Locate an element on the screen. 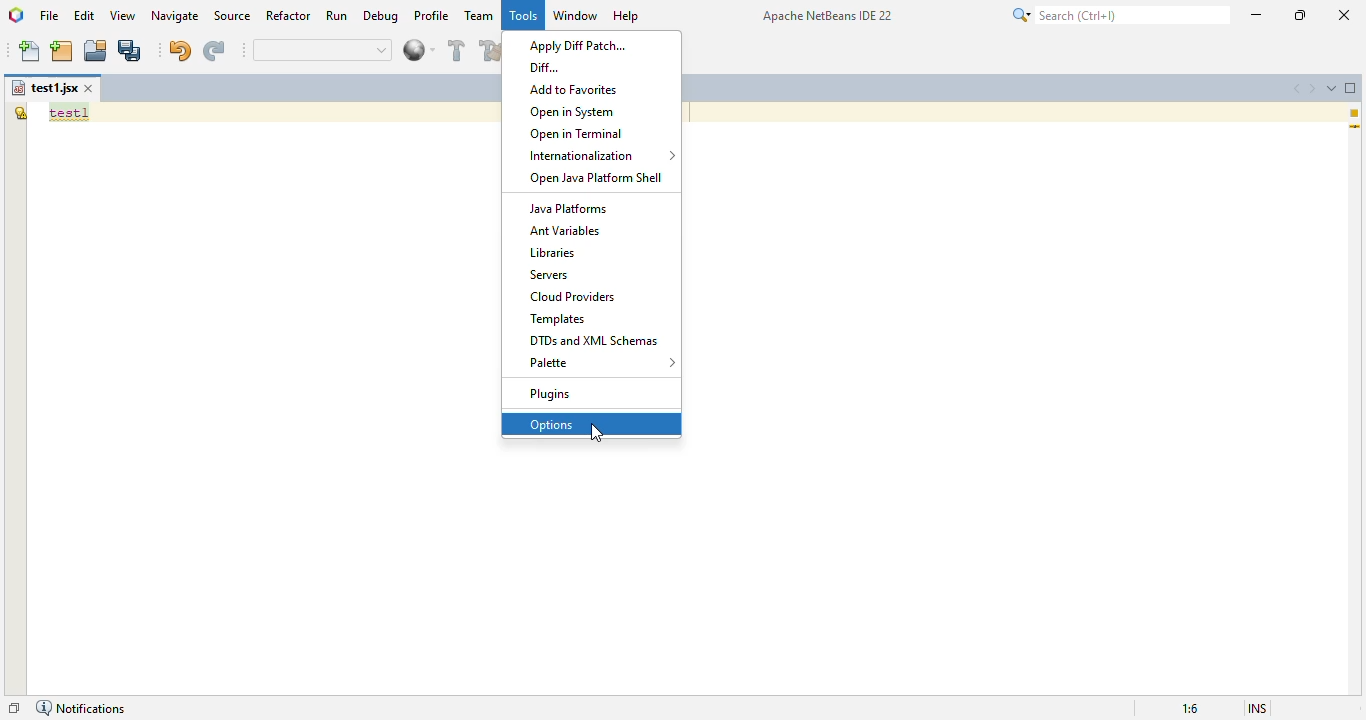  close window is located at coordinates (90, 88).